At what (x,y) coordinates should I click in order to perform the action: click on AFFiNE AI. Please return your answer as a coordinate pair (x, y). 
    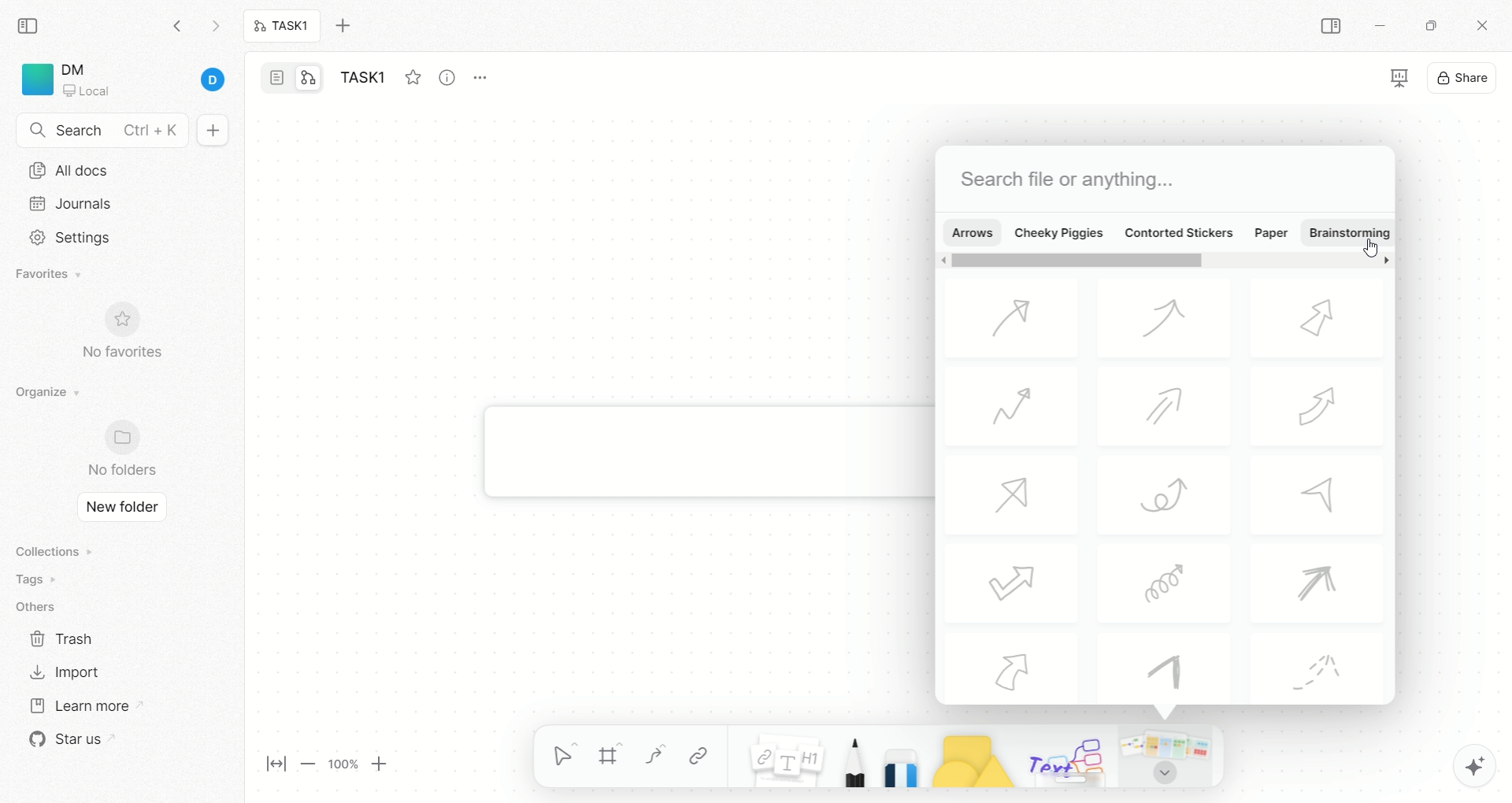
    Looking at the image, I should click on (1458, 762).